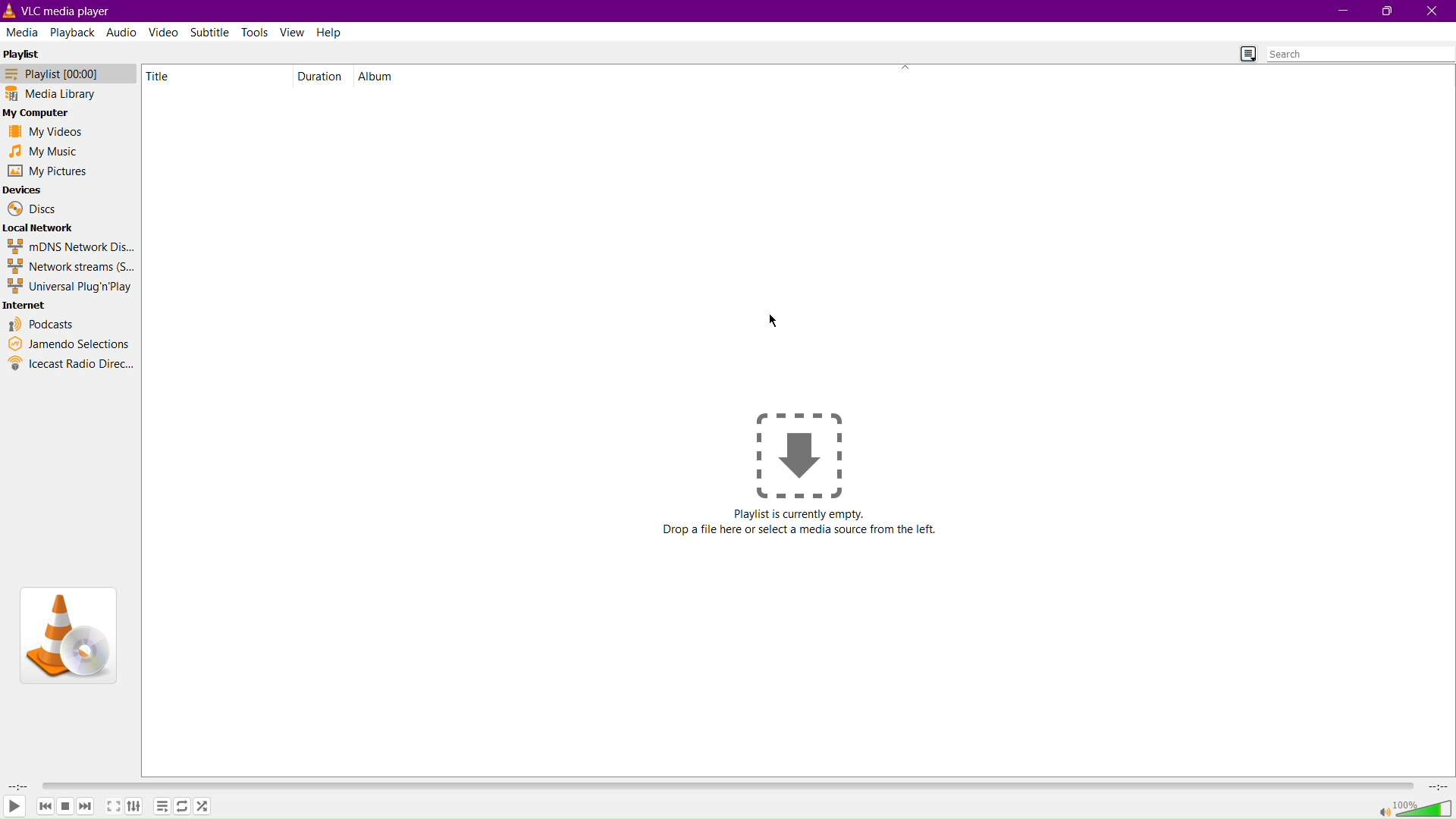  Describe the element at coordinates (39, 114) in the screenshot. I see `My Computer` at that location.